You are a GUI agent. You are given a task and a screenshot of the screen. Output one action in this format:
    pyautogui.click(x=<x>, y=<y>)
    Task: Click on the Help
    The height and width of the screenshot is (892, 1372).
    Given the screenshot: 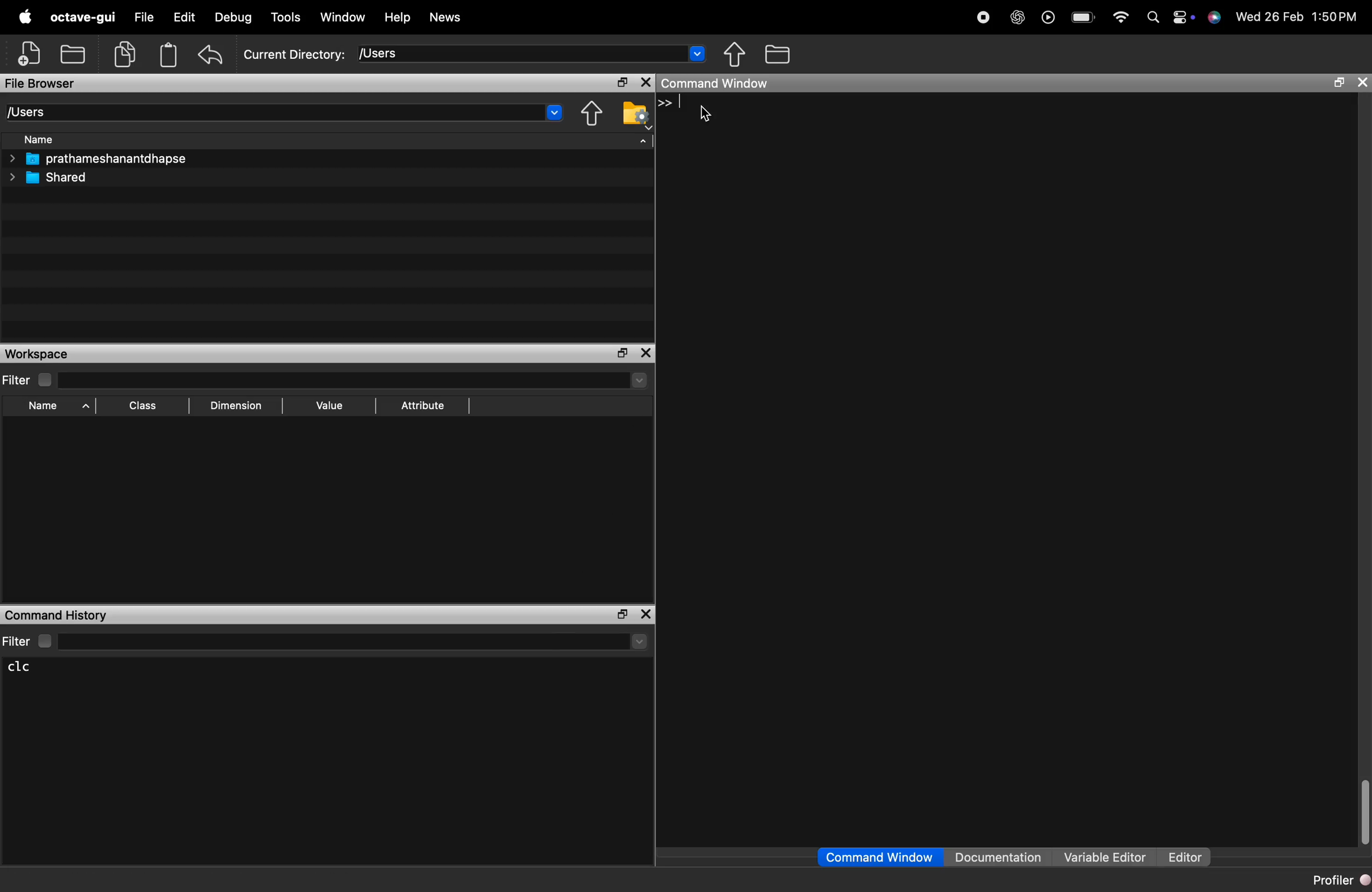 What is the action you would take?
    pyautogui.click(x=397, y=17)
    